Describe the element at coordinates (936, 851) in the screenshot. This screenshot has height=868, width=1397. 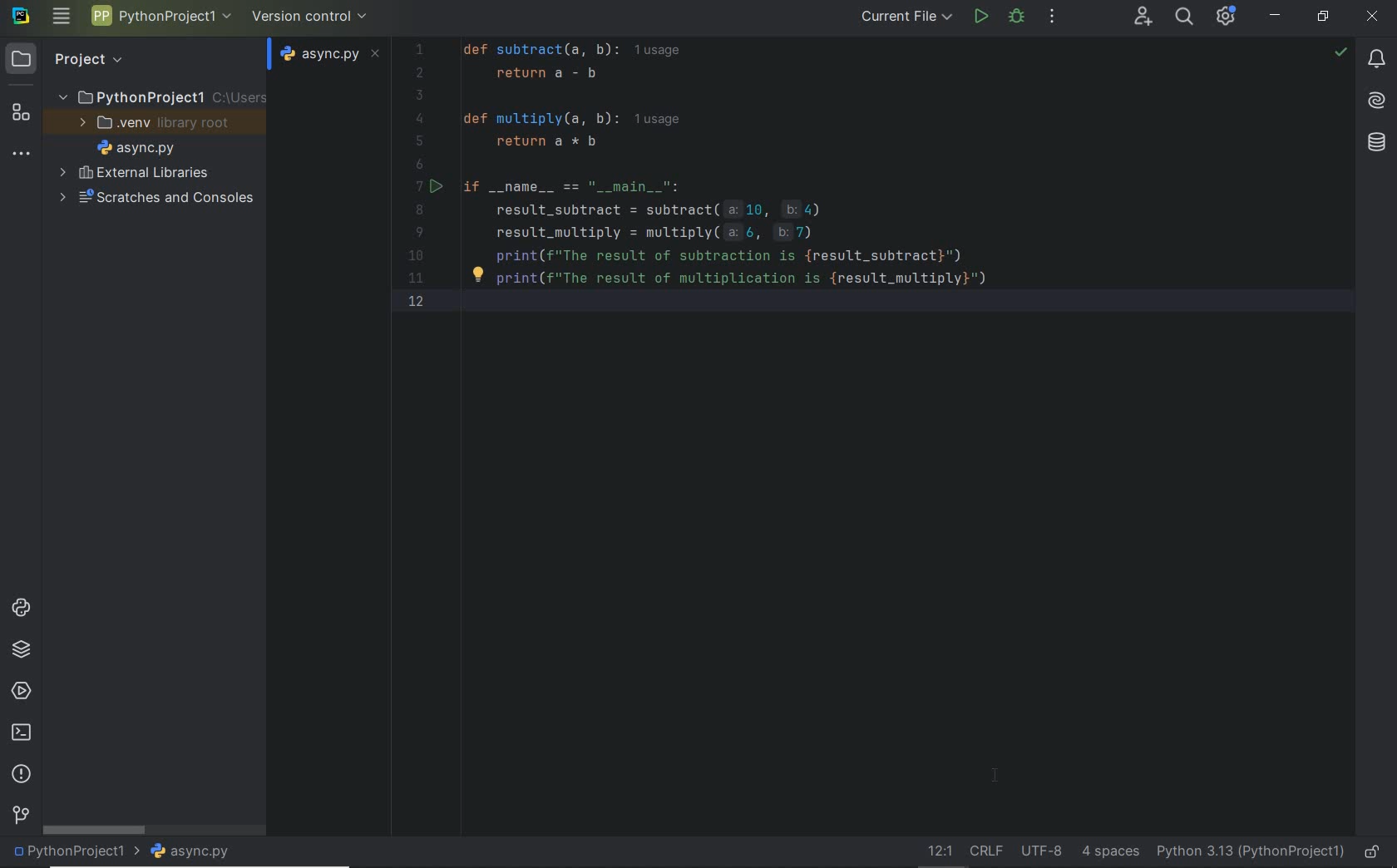
I see `Go to line` at that location.